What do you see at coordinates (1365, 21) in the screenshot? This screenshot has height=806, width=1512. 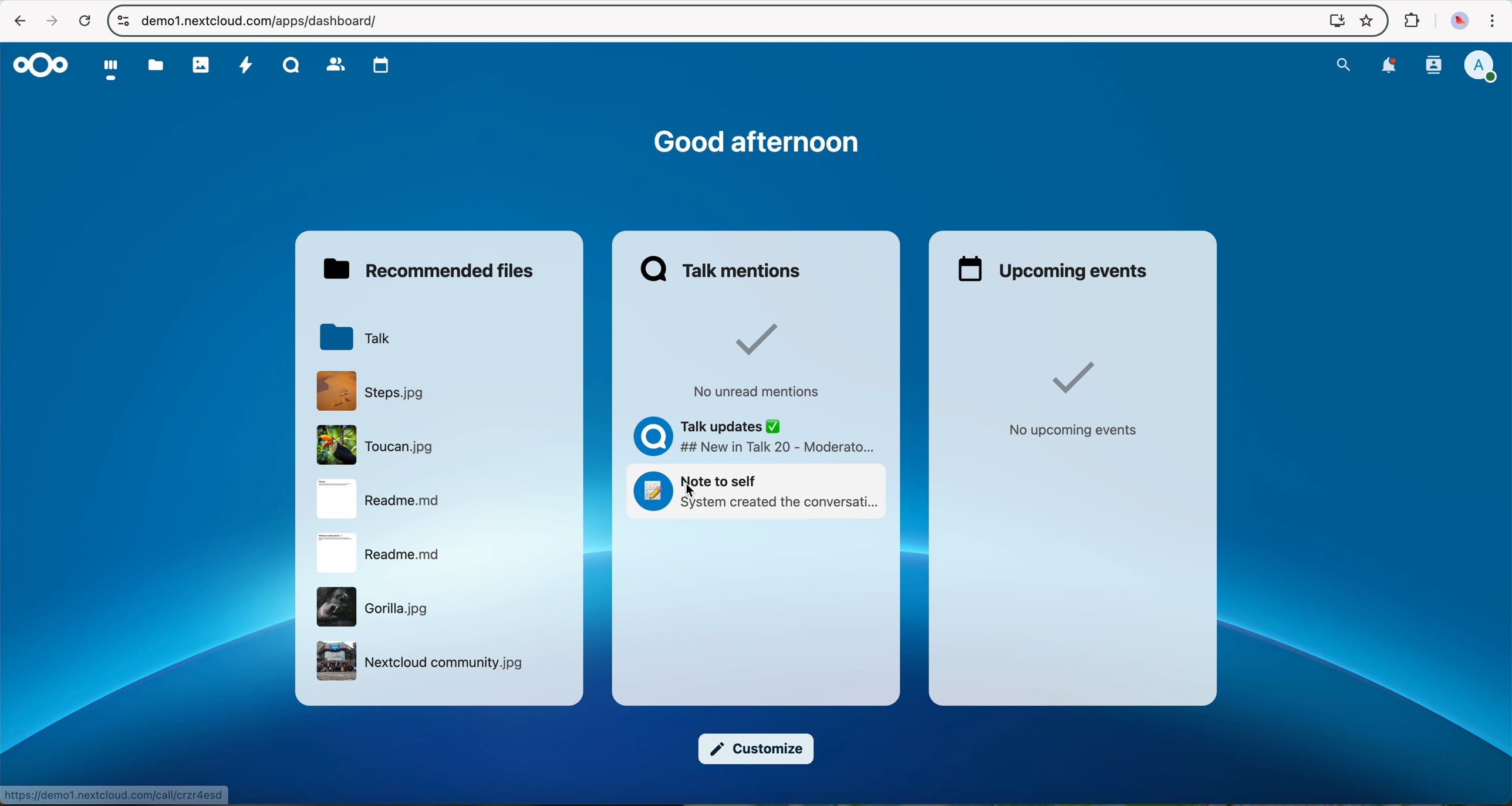 I see `favorites` at bounding box center [1365, 21].